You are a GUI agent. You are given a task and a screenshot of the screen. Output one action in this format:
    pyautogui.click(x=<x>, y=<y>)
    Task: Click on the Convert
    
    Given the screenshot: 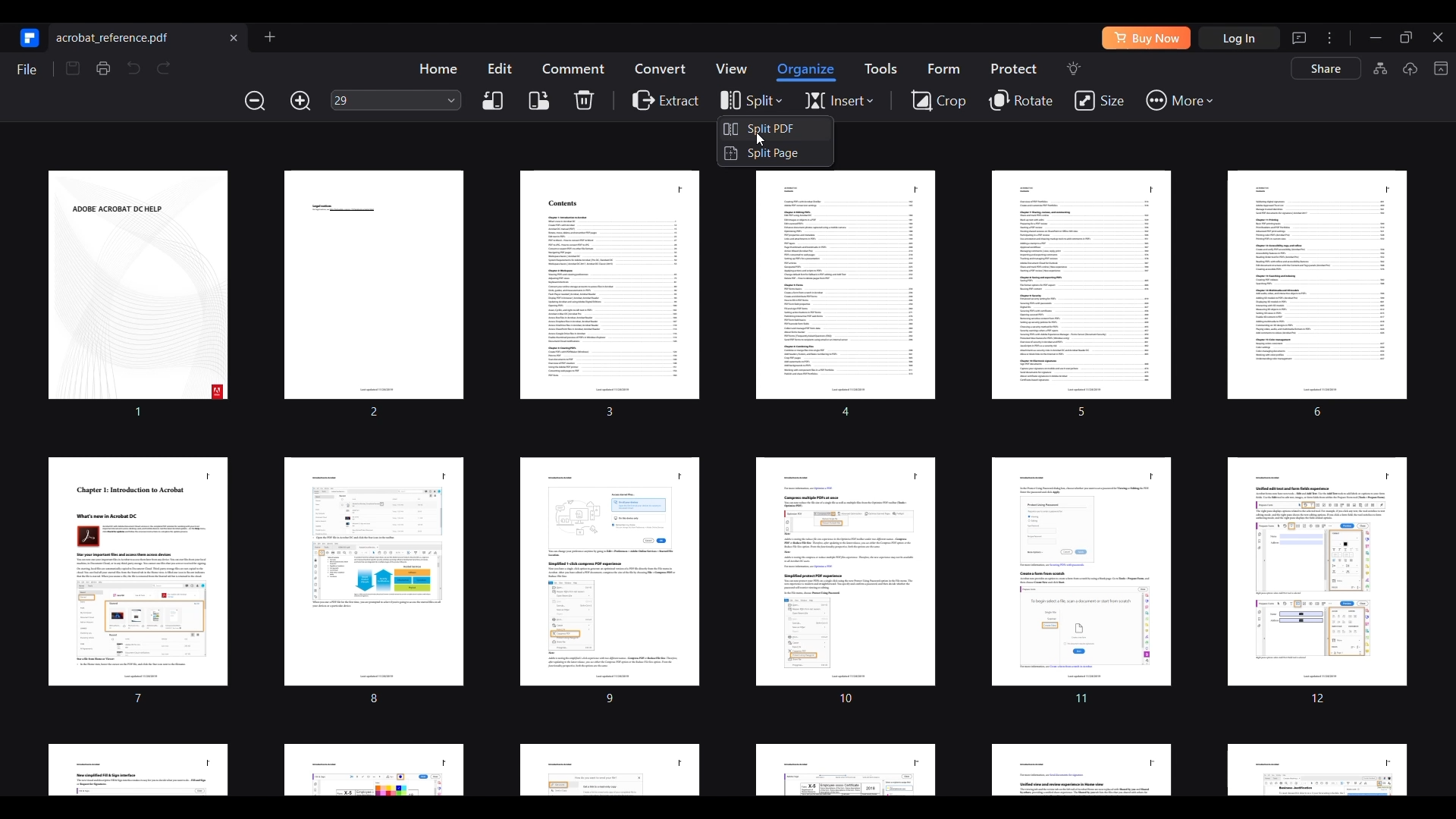 What is the action you would take?
    pyautogui.click(x=661, y=67)
    